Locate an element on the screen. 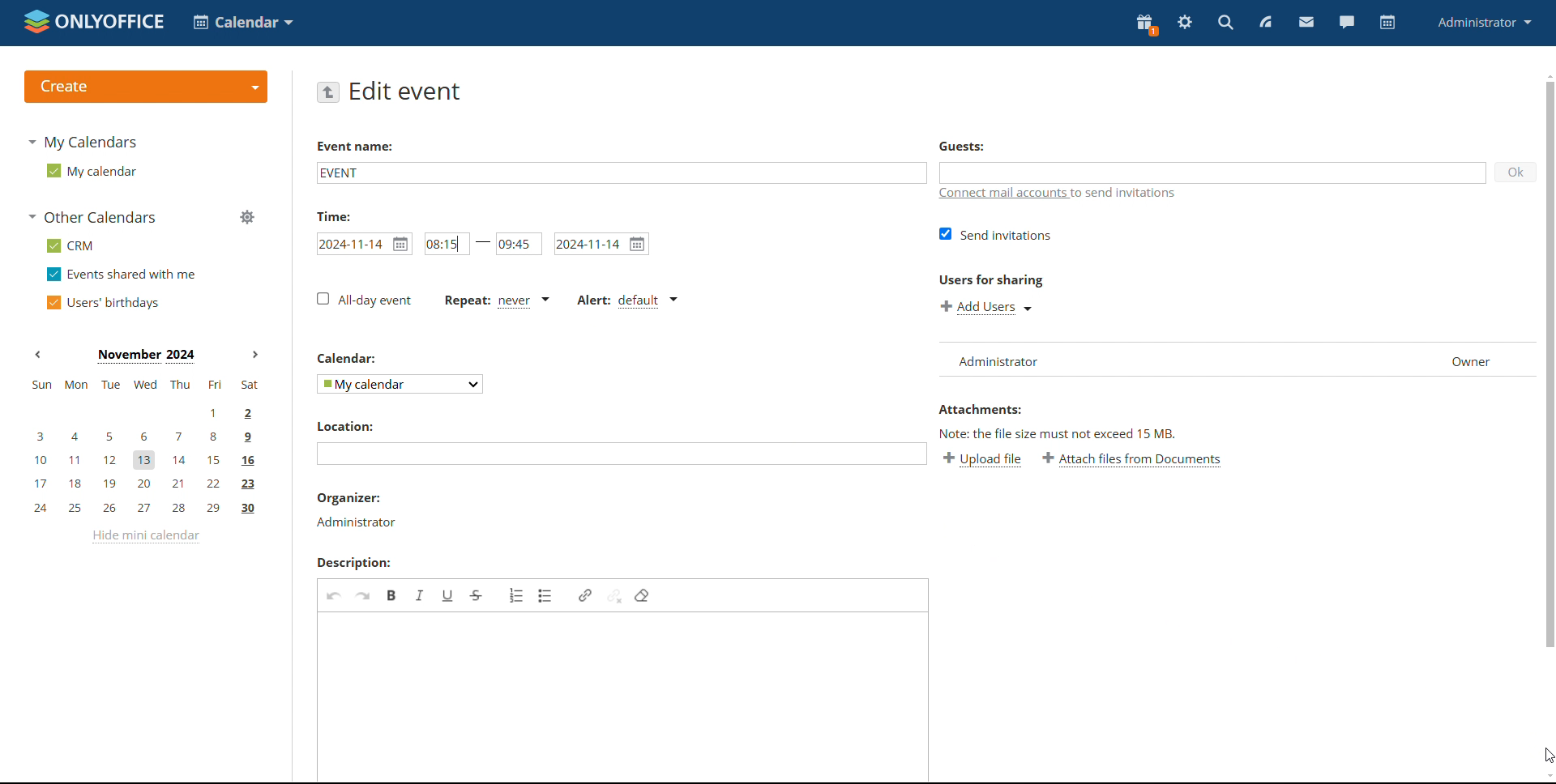 The image size is (1556, 784). send invitations is located at coordinates (997, 234).